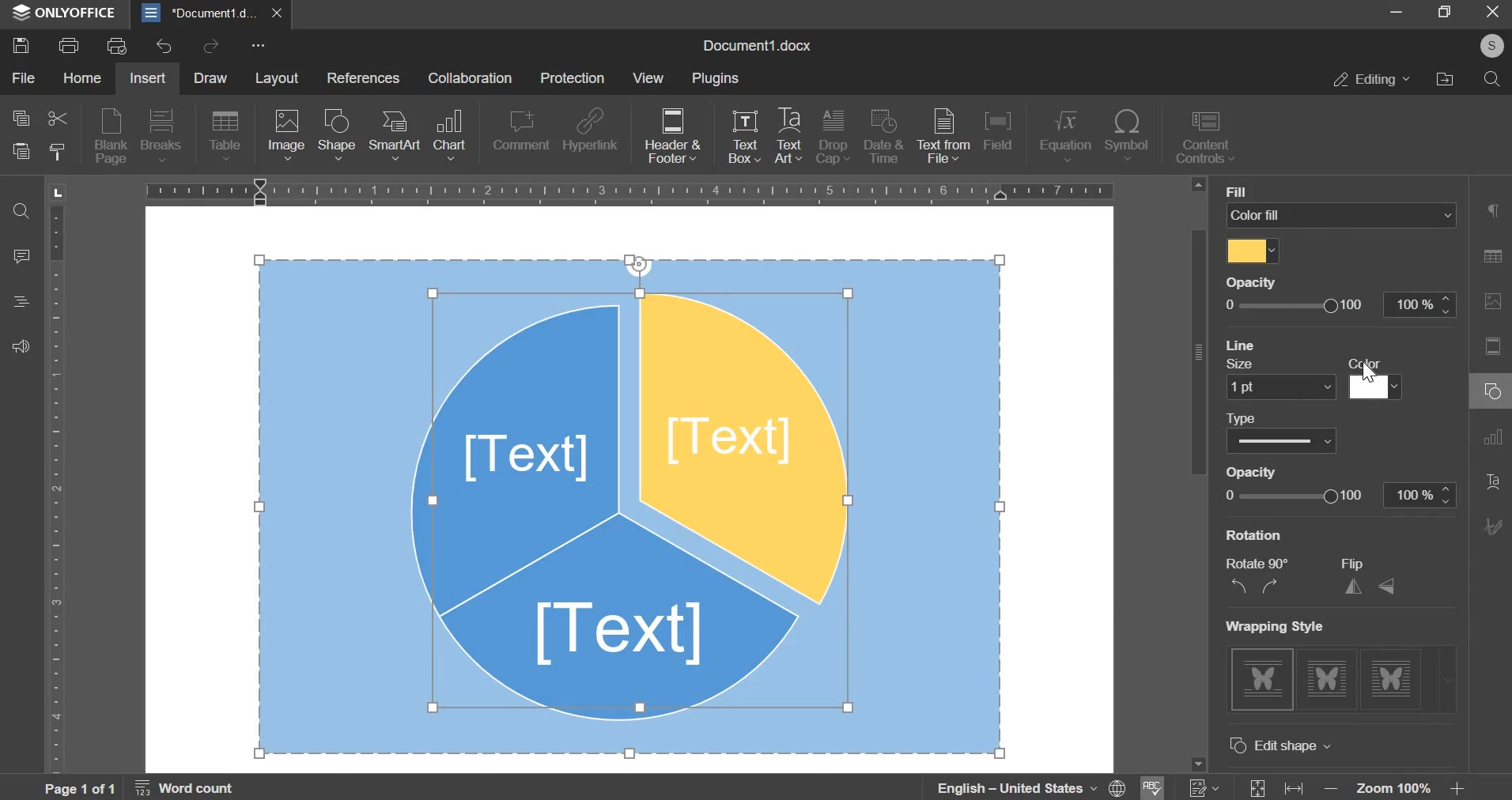 The image size is (1512, 800). I want to click on spell check, so click(1151, 787).